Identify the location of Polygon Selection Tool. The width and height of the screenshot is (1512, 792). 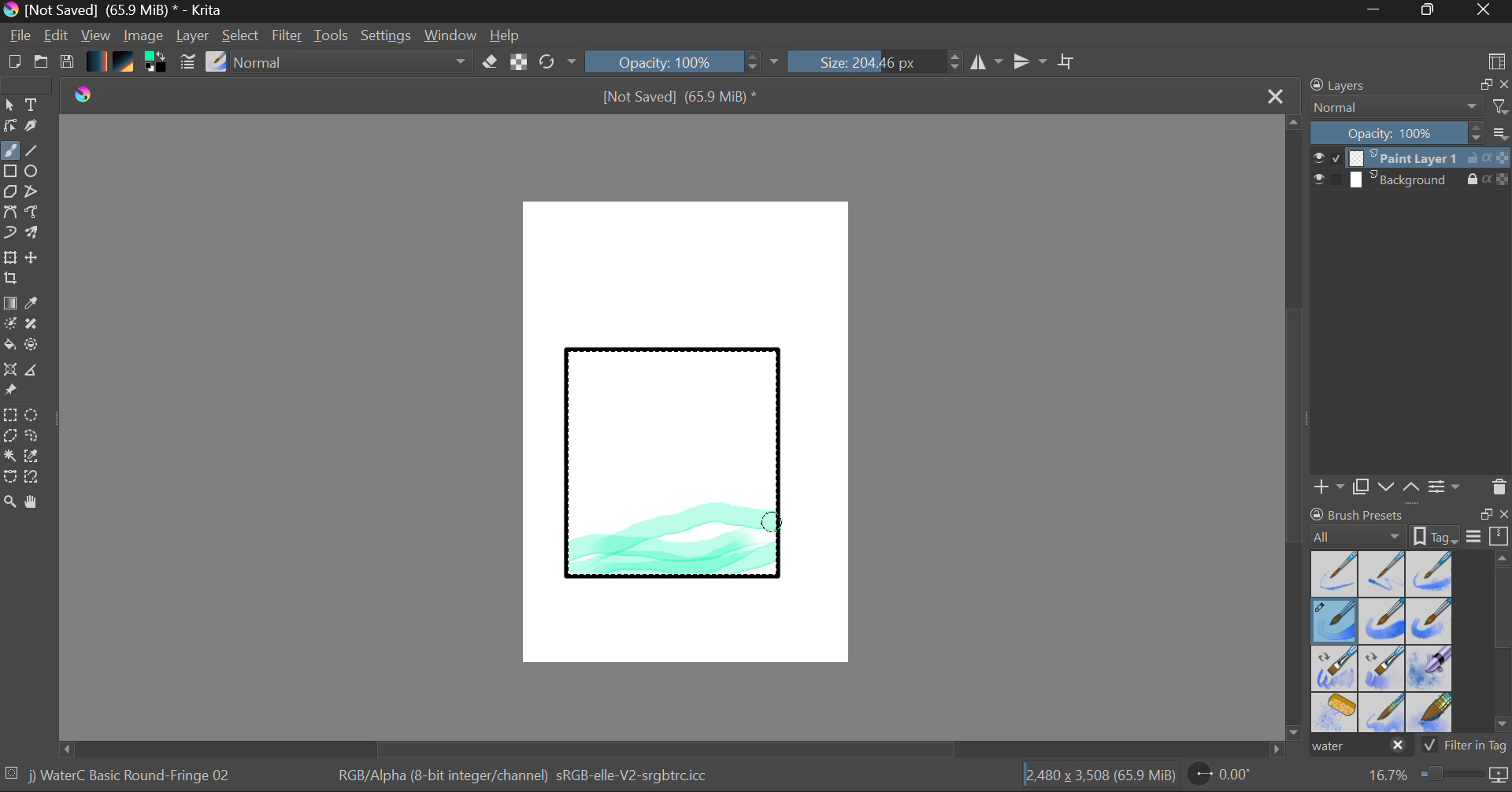
(9, 436).